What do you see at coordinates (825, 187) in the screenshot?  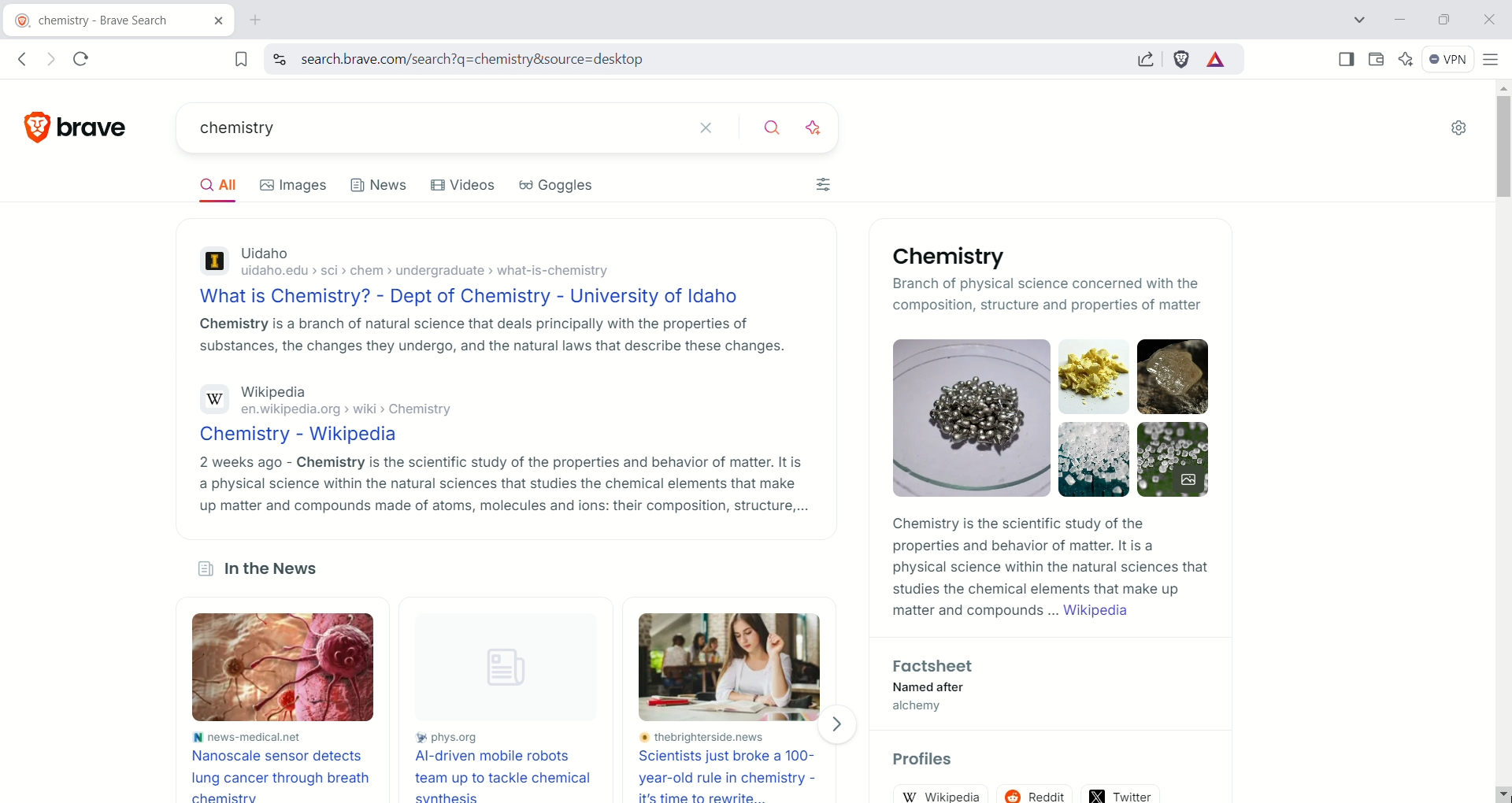 I see `filters` at bounding box center [825, 187].